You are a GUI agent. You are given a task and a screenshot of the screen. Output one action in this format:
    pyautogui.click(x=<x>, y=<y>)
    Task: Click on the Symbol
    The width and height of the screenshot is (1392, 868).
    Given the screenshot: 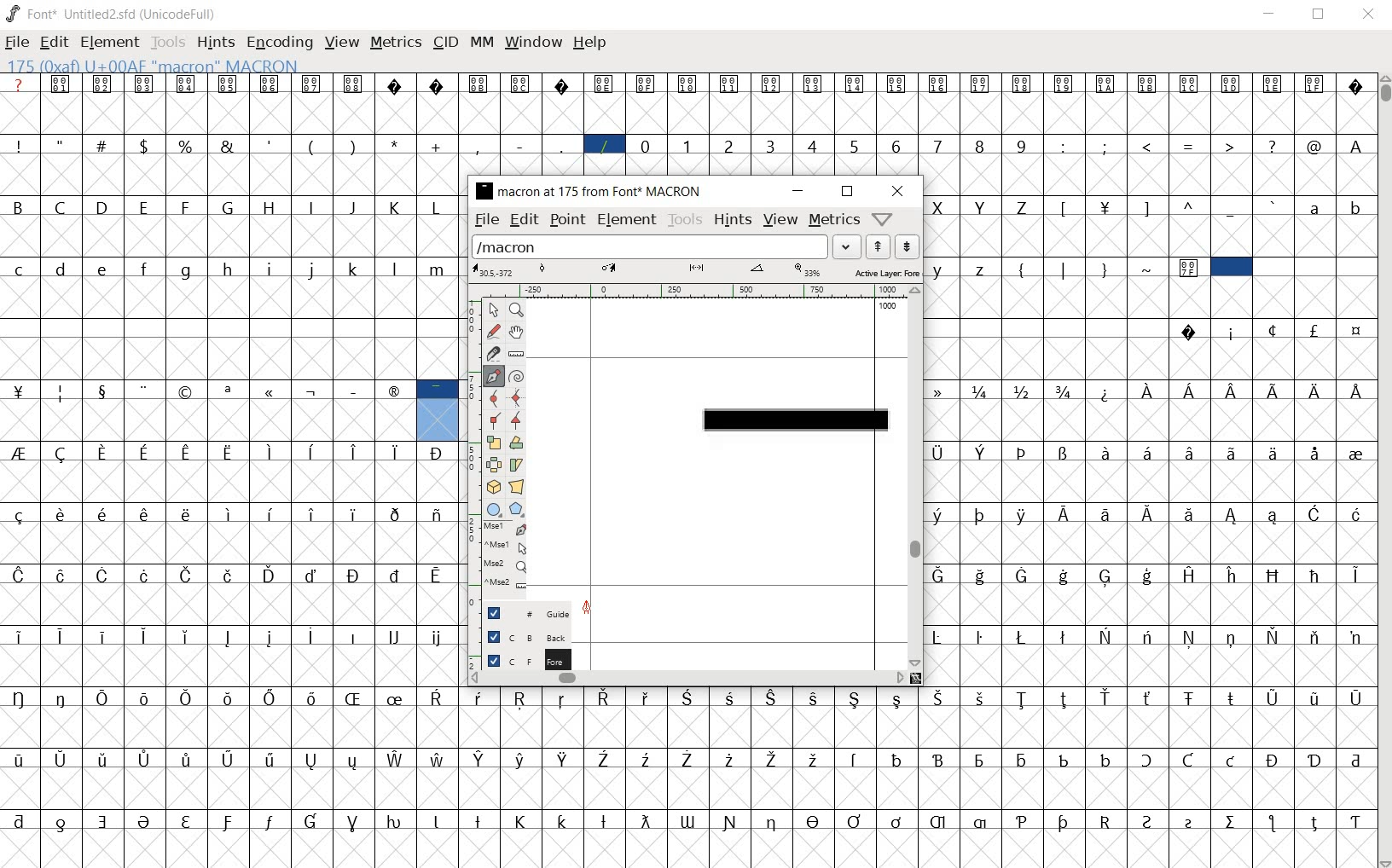 What is the action you would take?
    pyautogui.click(x=395, y=451)
    